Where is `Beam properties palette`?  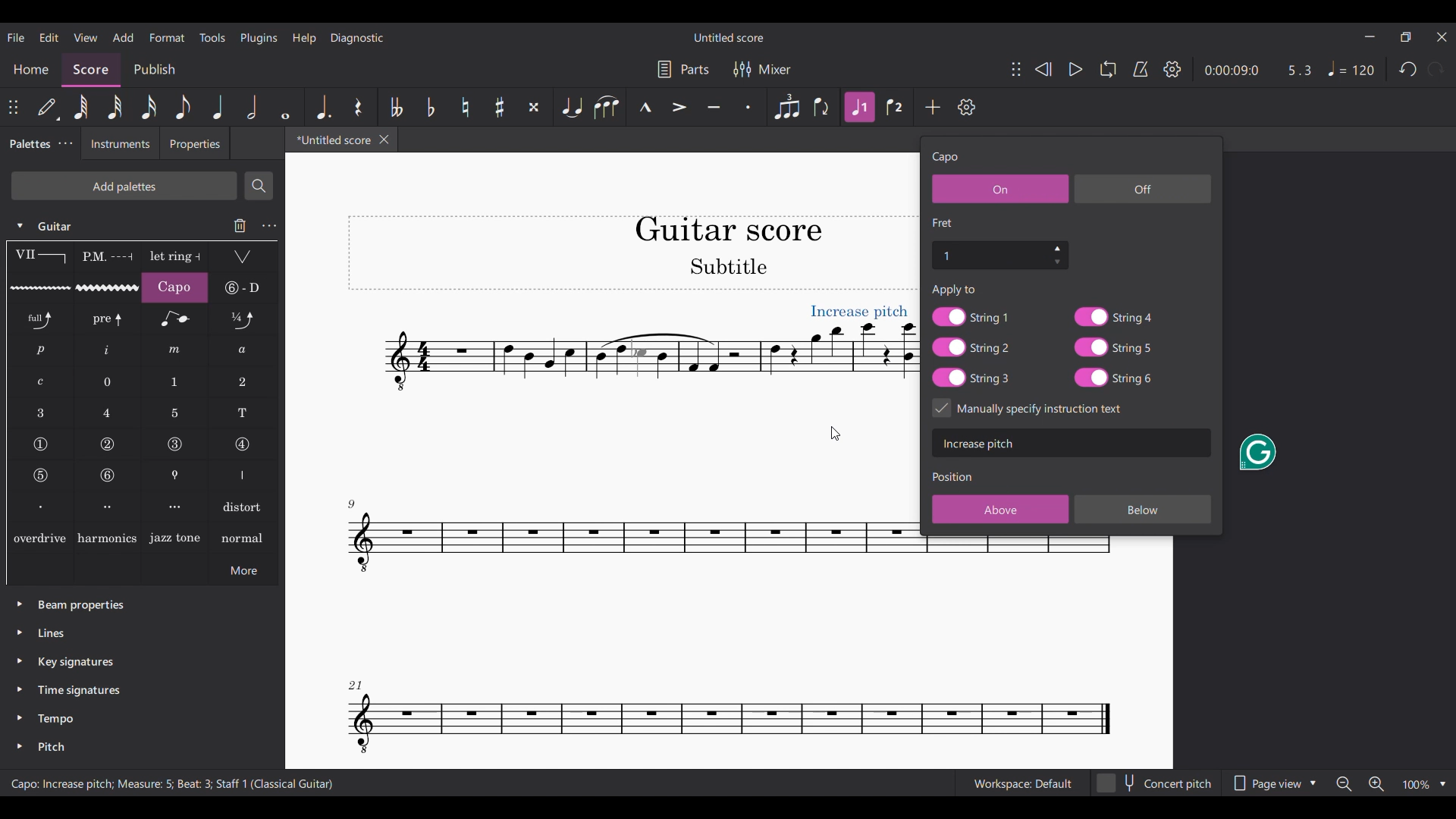 Beam properties palette is located at coordinates (81, 606).